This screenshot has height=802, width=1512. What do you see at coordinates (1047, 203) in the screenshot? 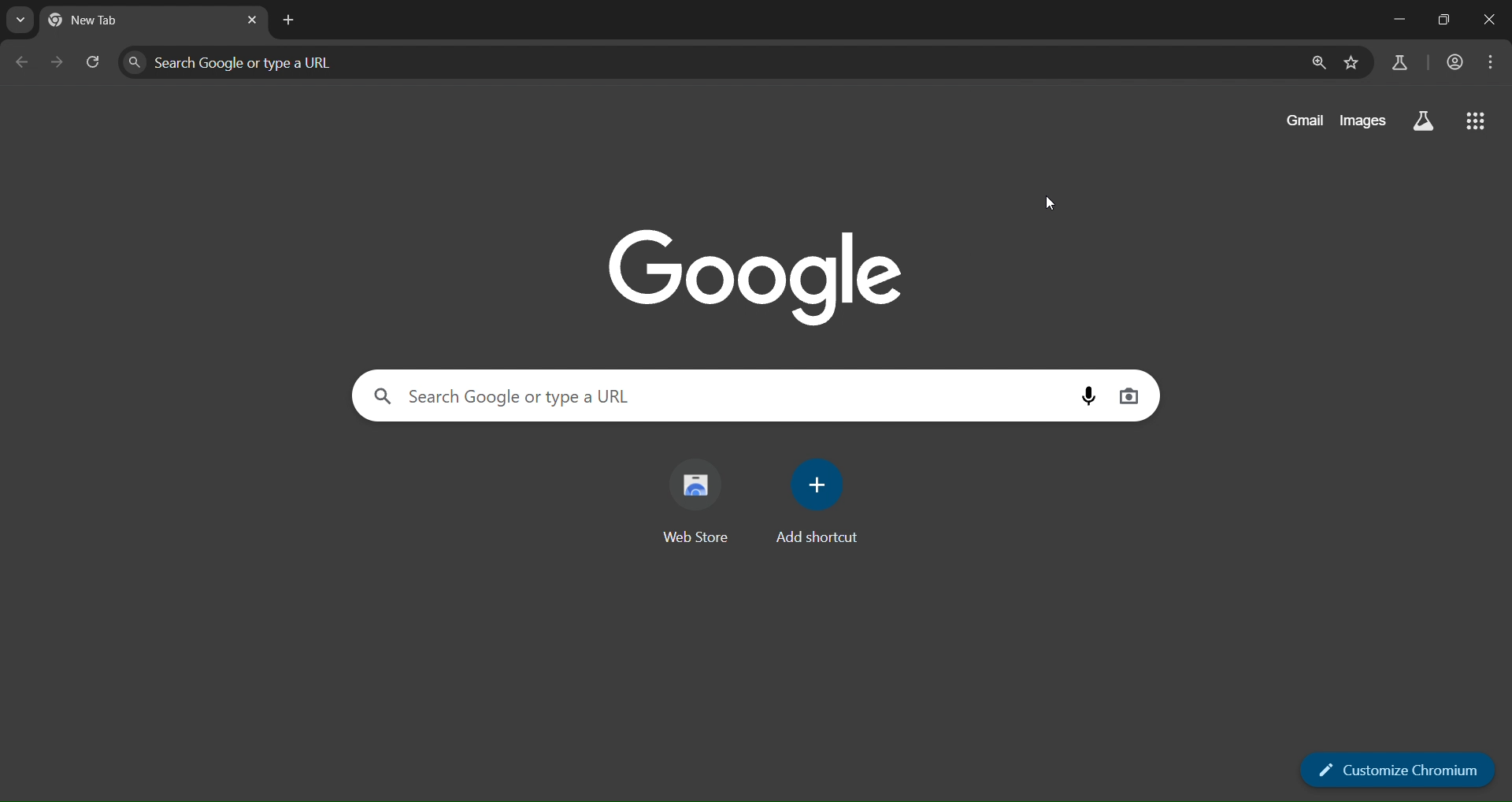
I see `cursor` at bounding box center [1047, 203].